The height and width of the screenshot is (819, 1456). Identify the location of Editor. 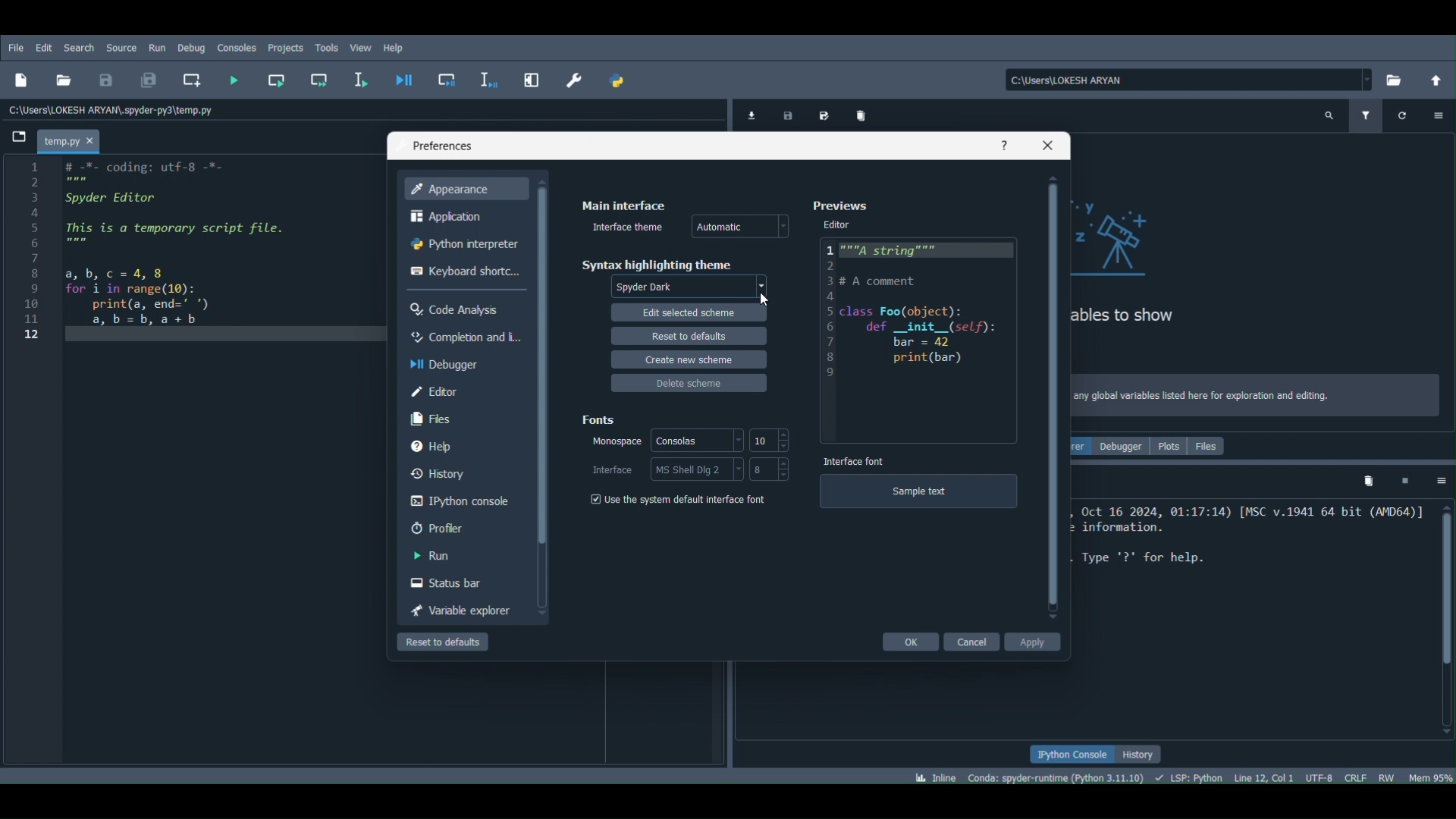
(469, 394).